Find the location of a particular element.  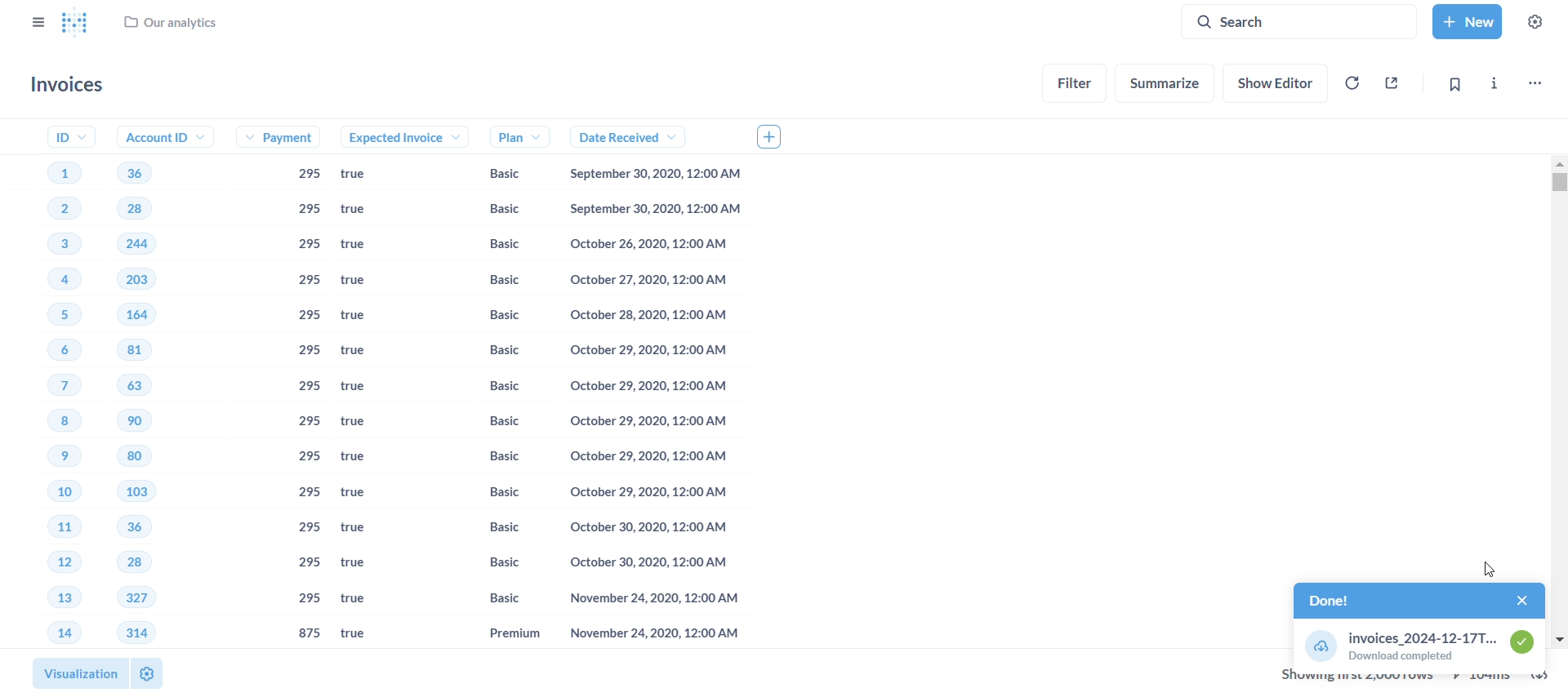

true is located at coordinates (366, 530).